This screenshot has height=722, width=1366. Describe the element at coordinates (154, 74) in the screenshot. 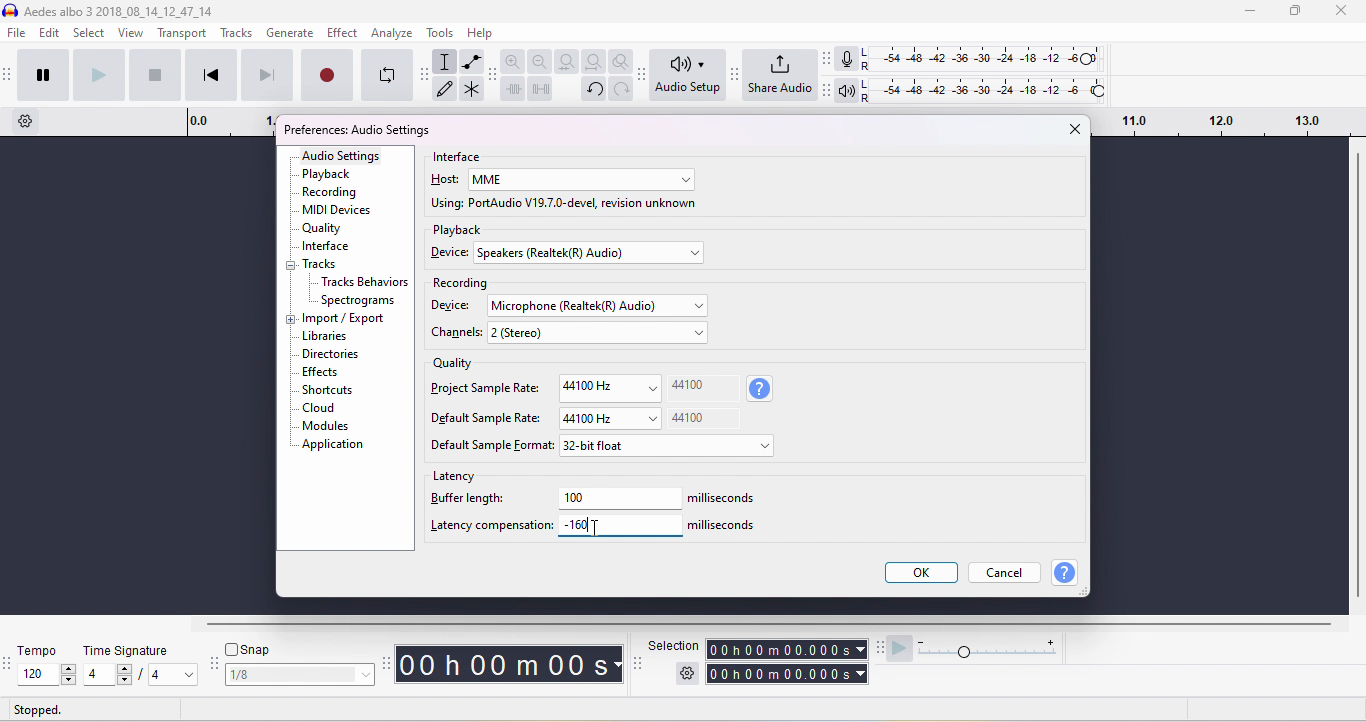

I see `stop` at that location.